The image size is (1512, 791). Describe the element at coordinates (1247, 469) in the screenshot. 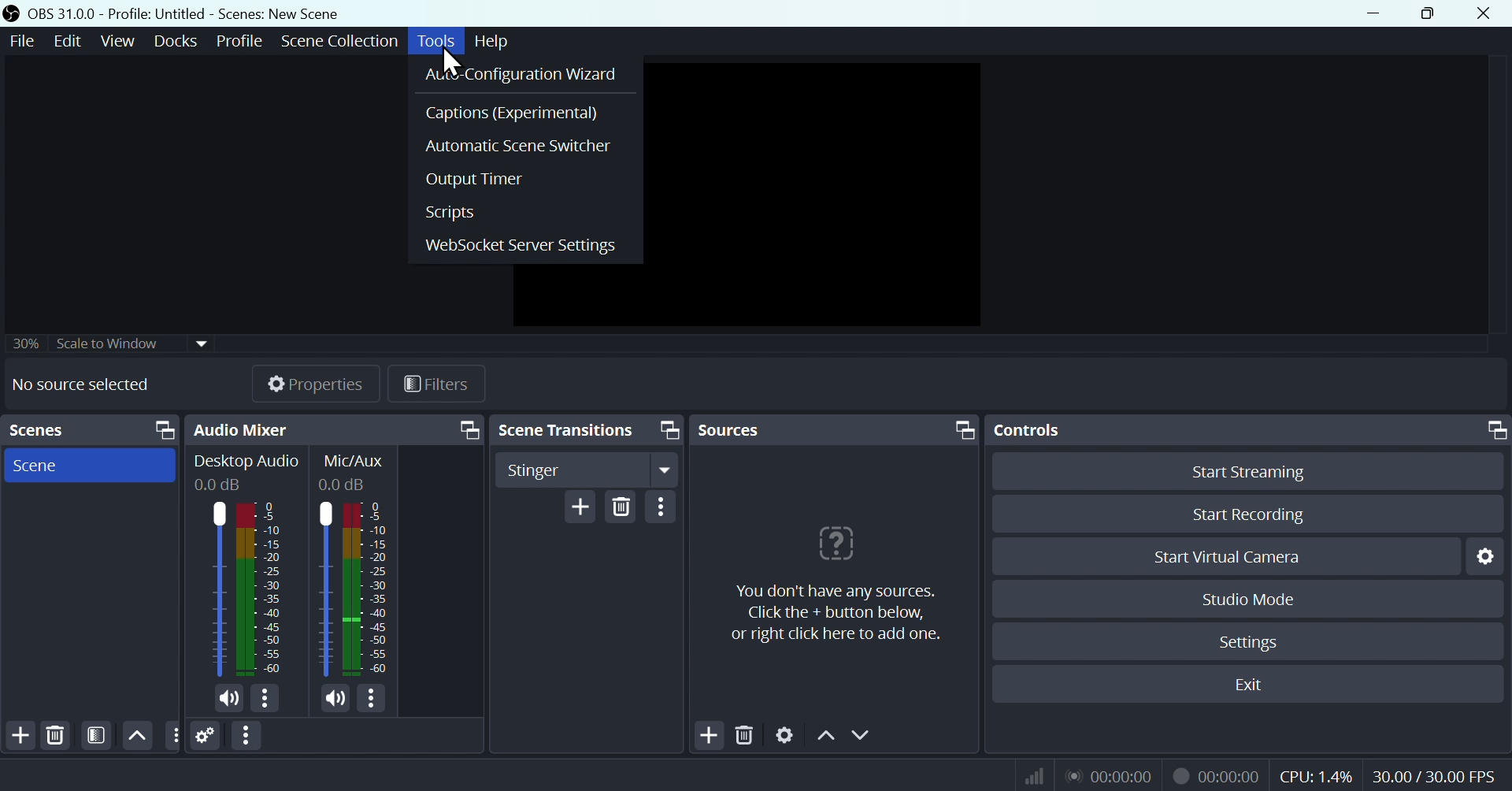

I see `Start Streaming` at that location.